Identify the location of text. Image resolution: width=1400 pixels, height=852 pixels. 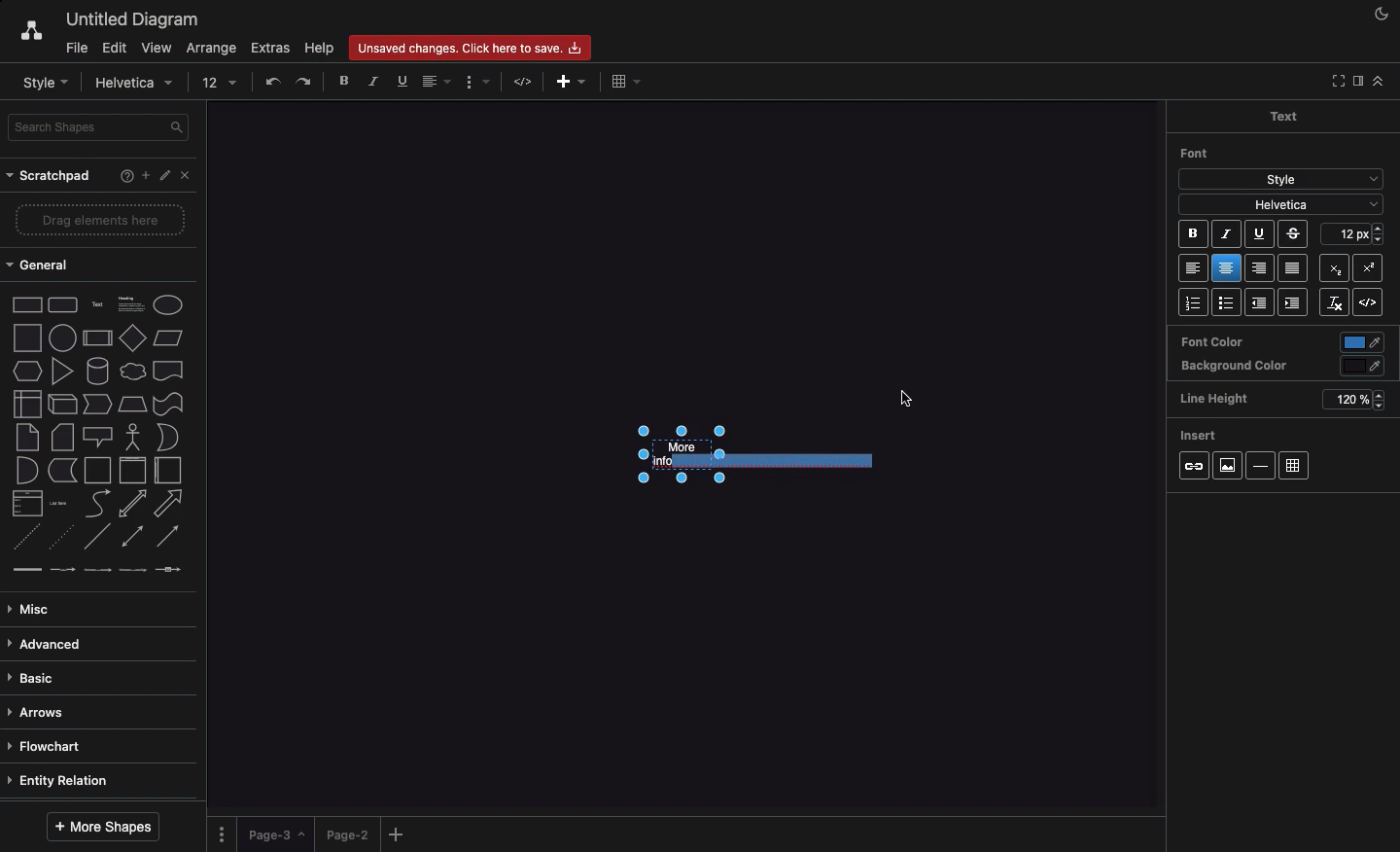
(98, 306).